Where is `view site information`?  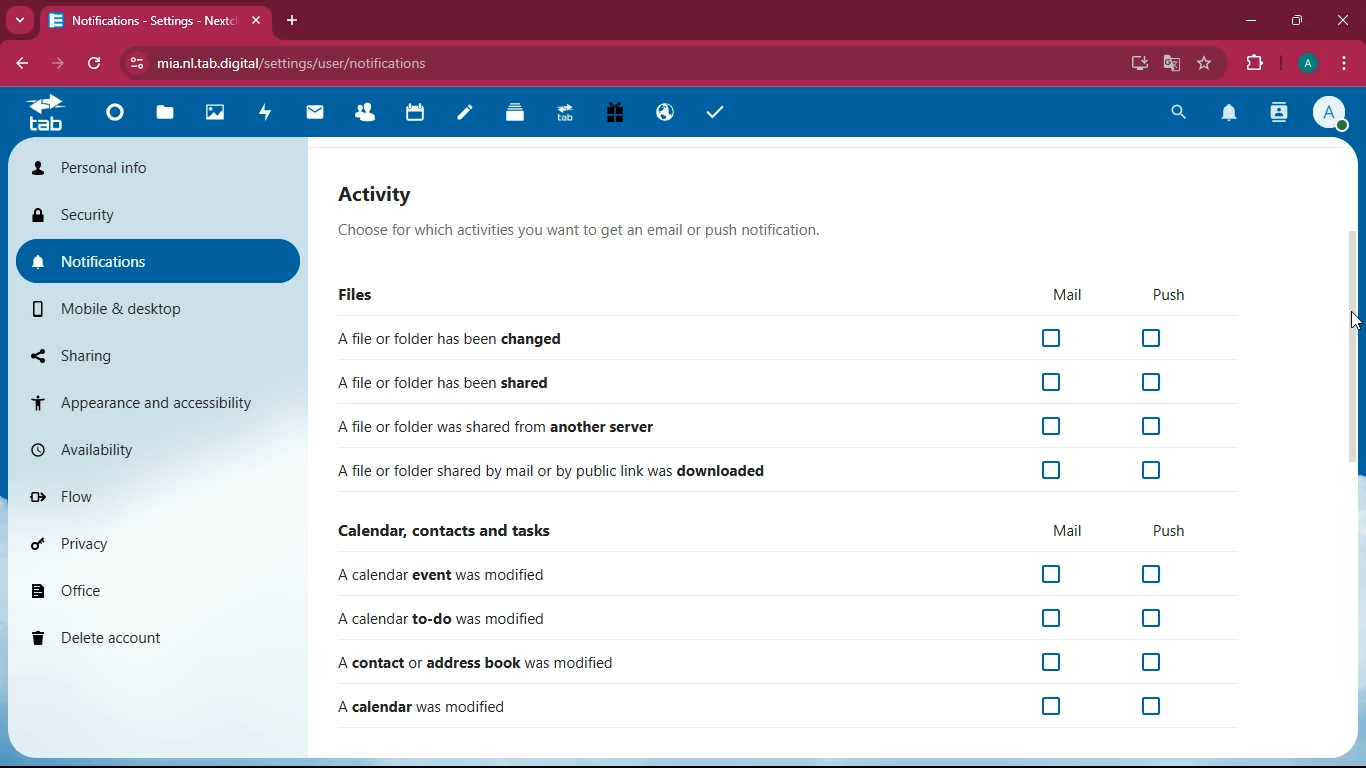
view site information is located at coordinates (134, 65).